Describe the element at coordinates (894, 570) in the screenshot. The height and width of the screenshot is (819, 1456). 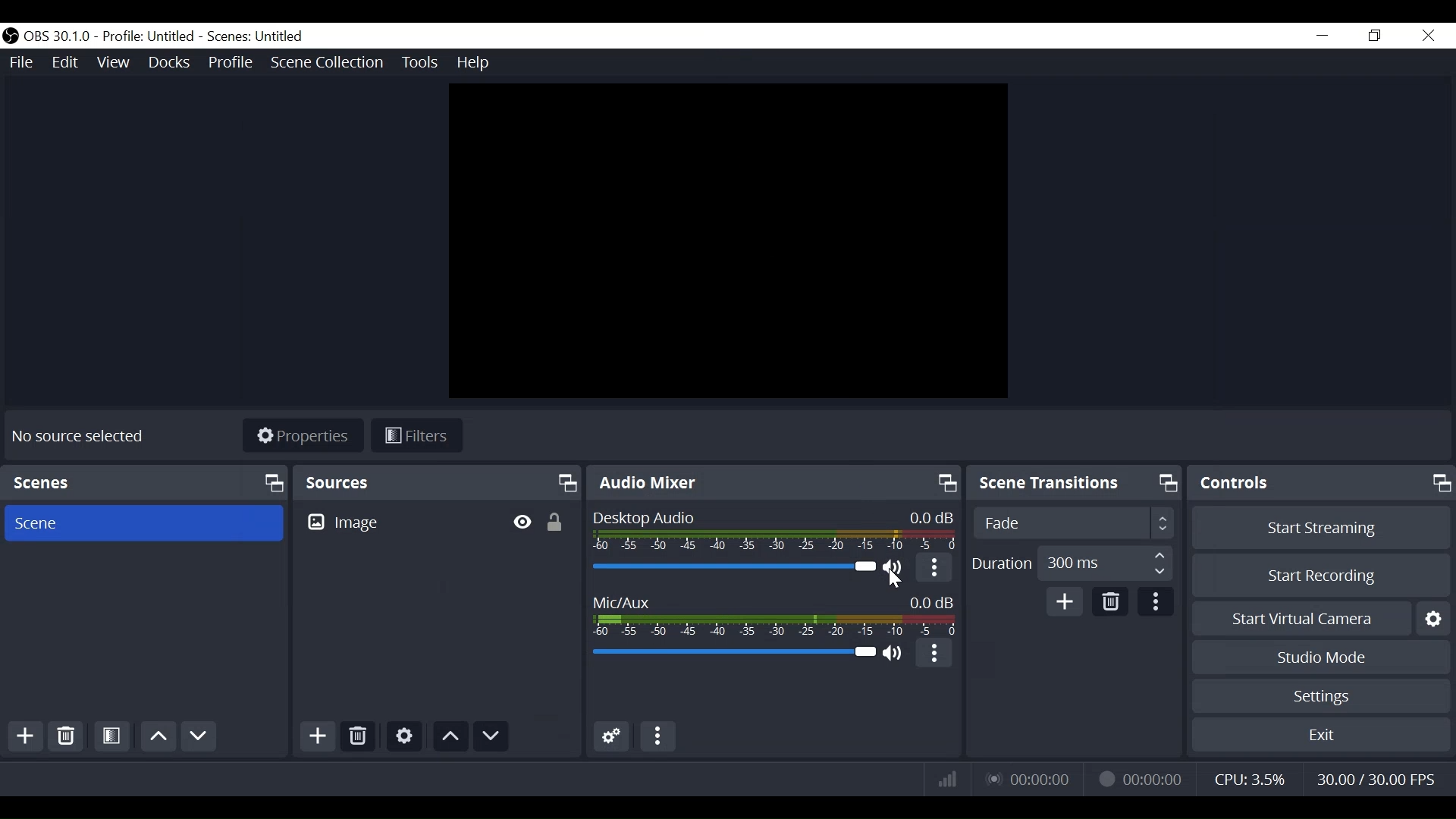
I see `(un)mute` at that location.